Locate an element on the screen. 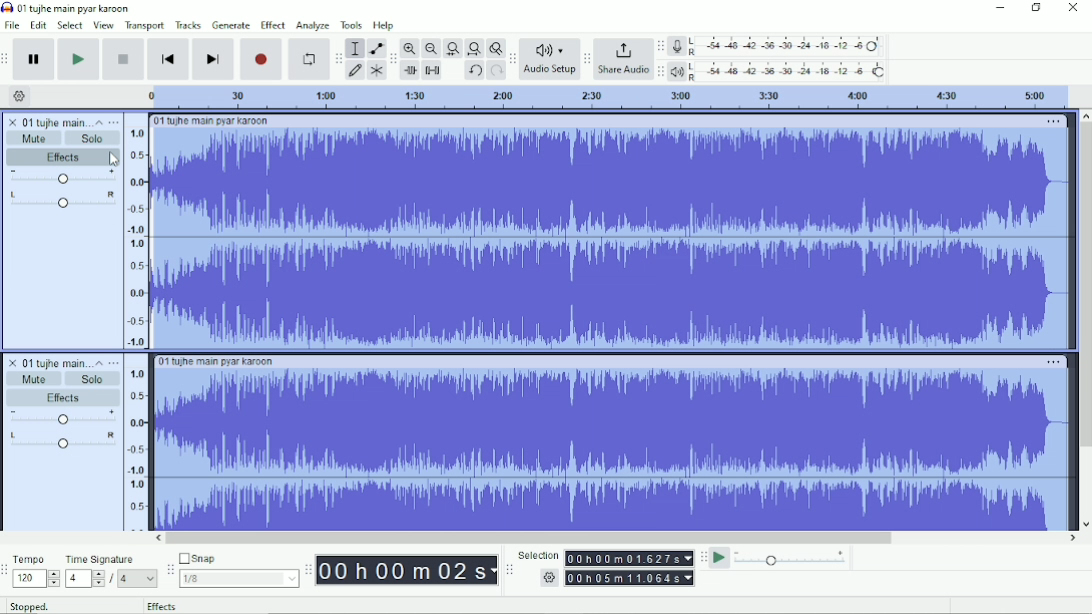  / is located at coordinates (113, 581).